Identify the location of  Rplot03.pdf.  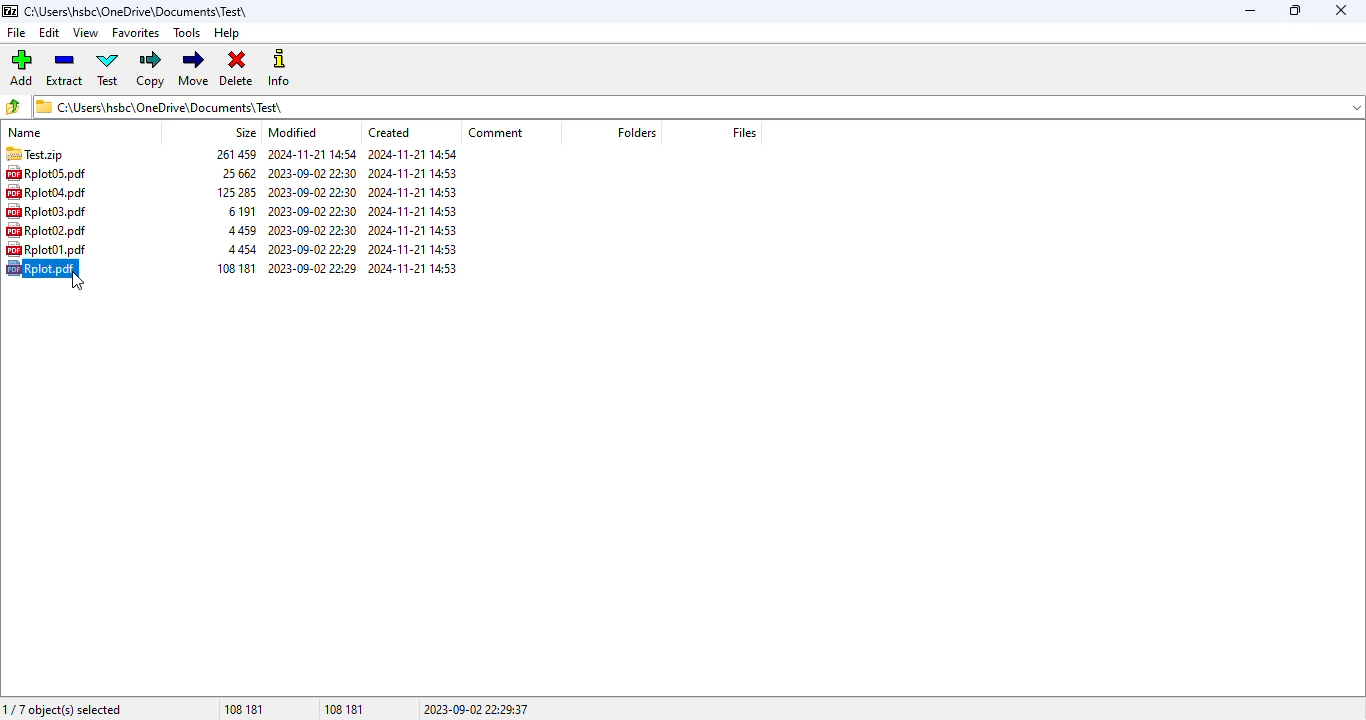
(49, 211).